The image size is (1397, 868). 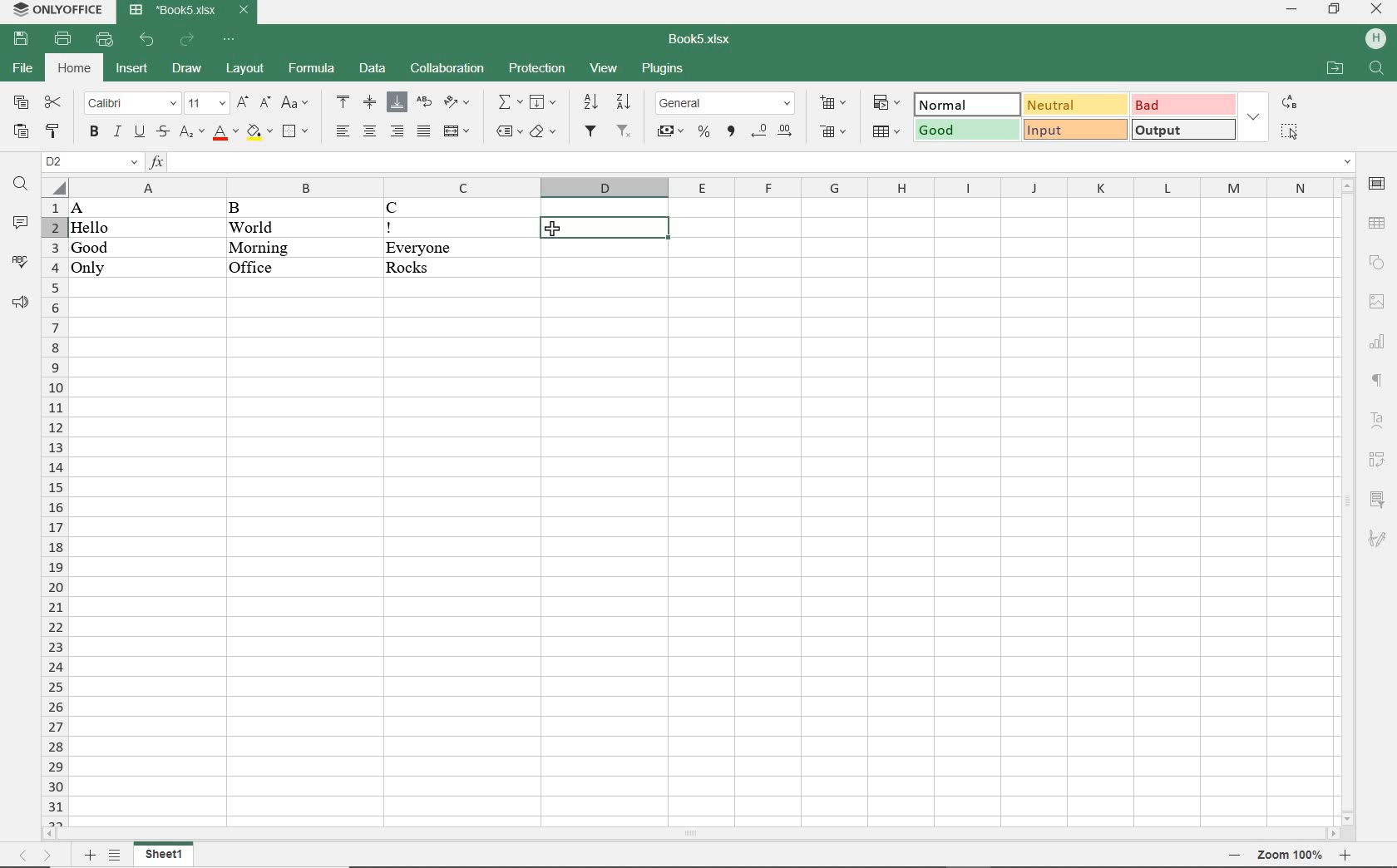 I want to click on filter, so click(x=590, y=133).